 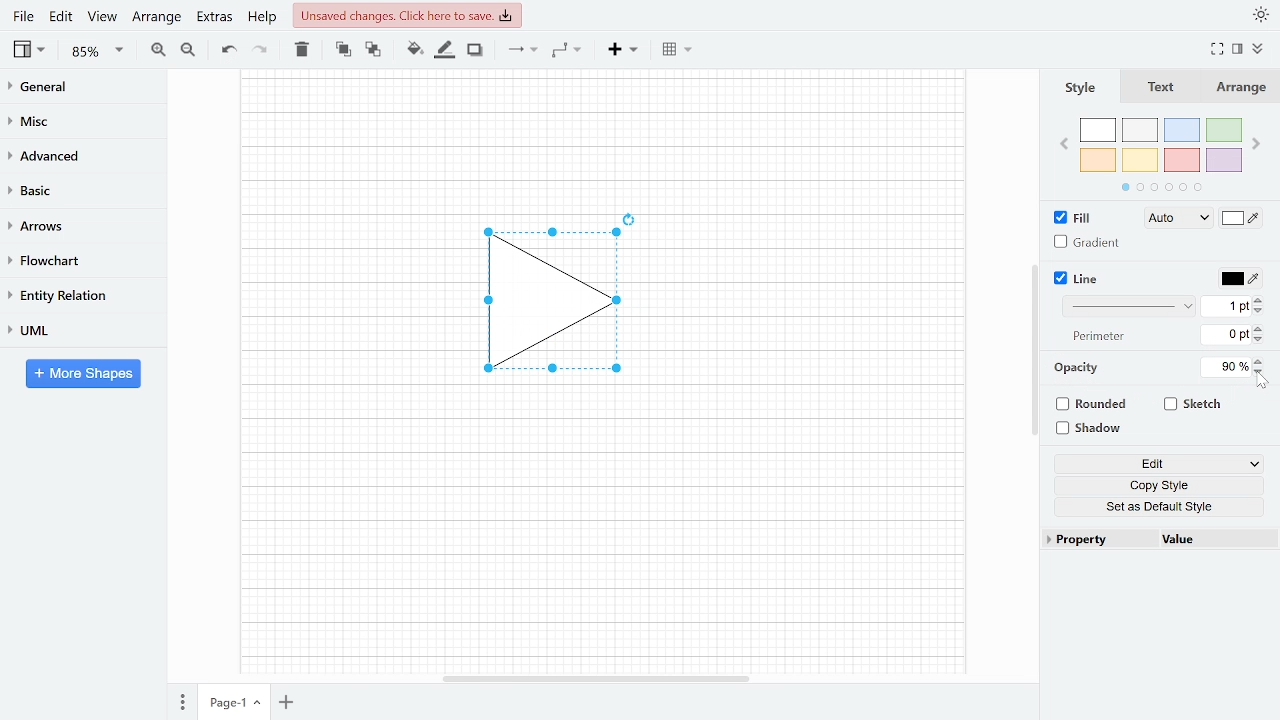 I want to click on Entity relation, so click(x=75, y=295).